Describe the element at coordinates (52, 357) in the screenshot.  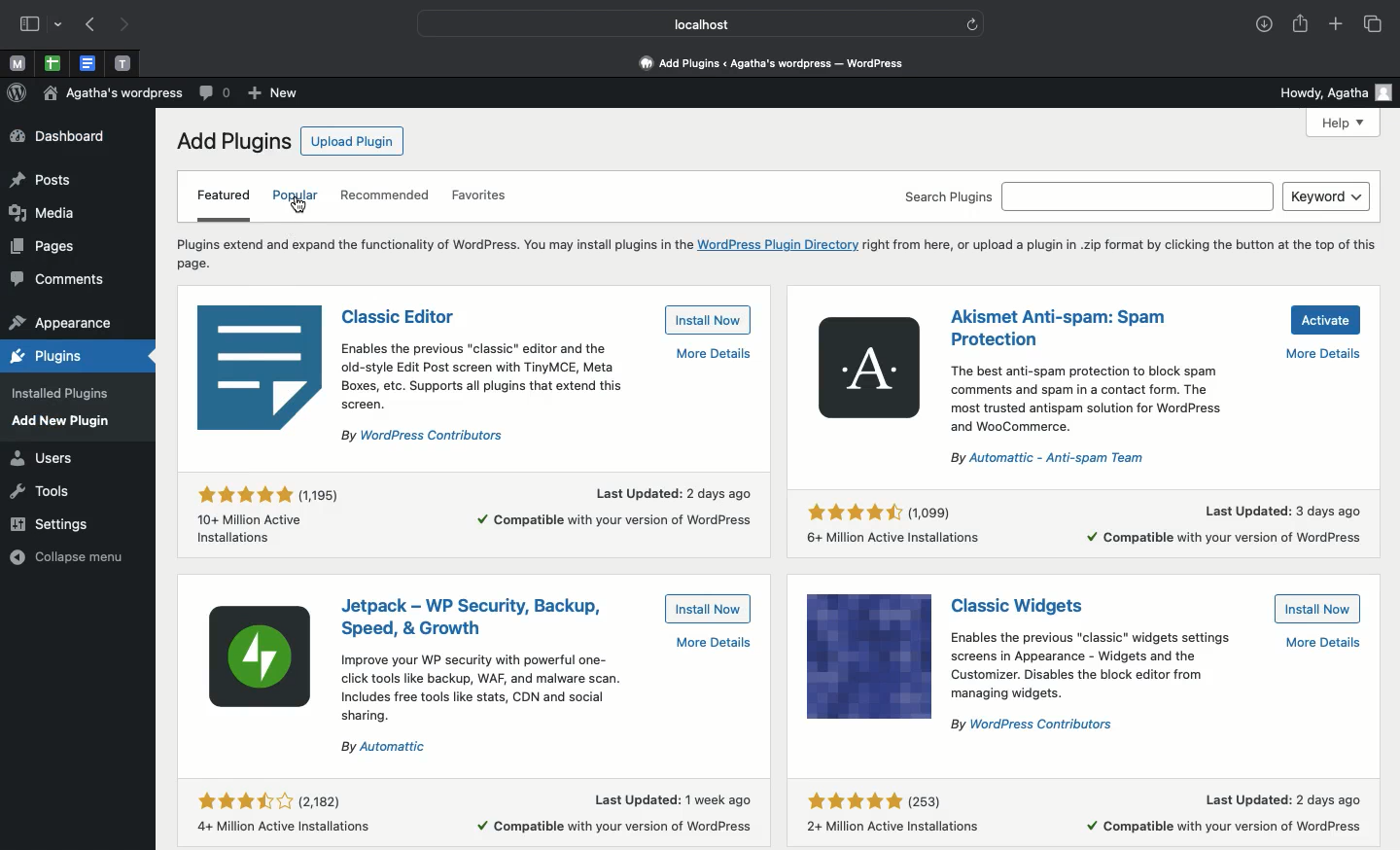
I see `plugins` at that location.